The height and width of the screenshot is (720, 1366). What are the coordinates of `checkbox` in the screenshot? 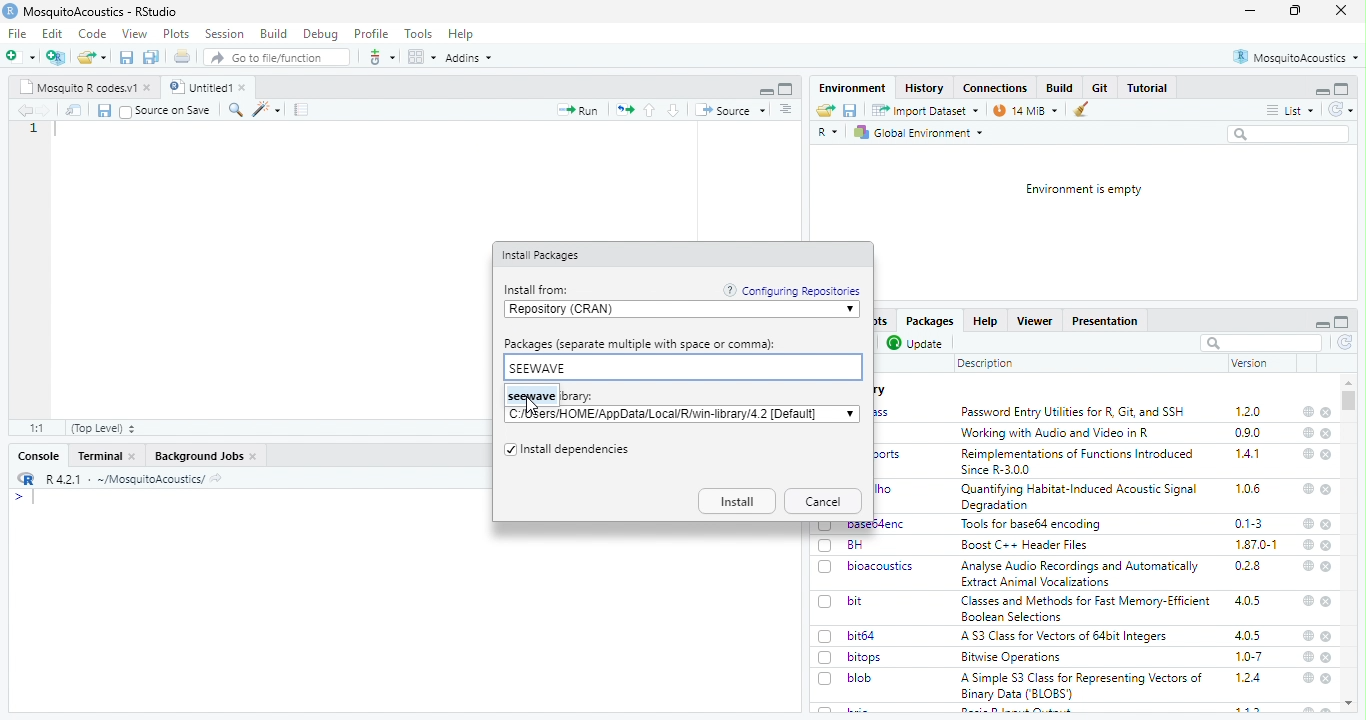 It's located at (828, 637).